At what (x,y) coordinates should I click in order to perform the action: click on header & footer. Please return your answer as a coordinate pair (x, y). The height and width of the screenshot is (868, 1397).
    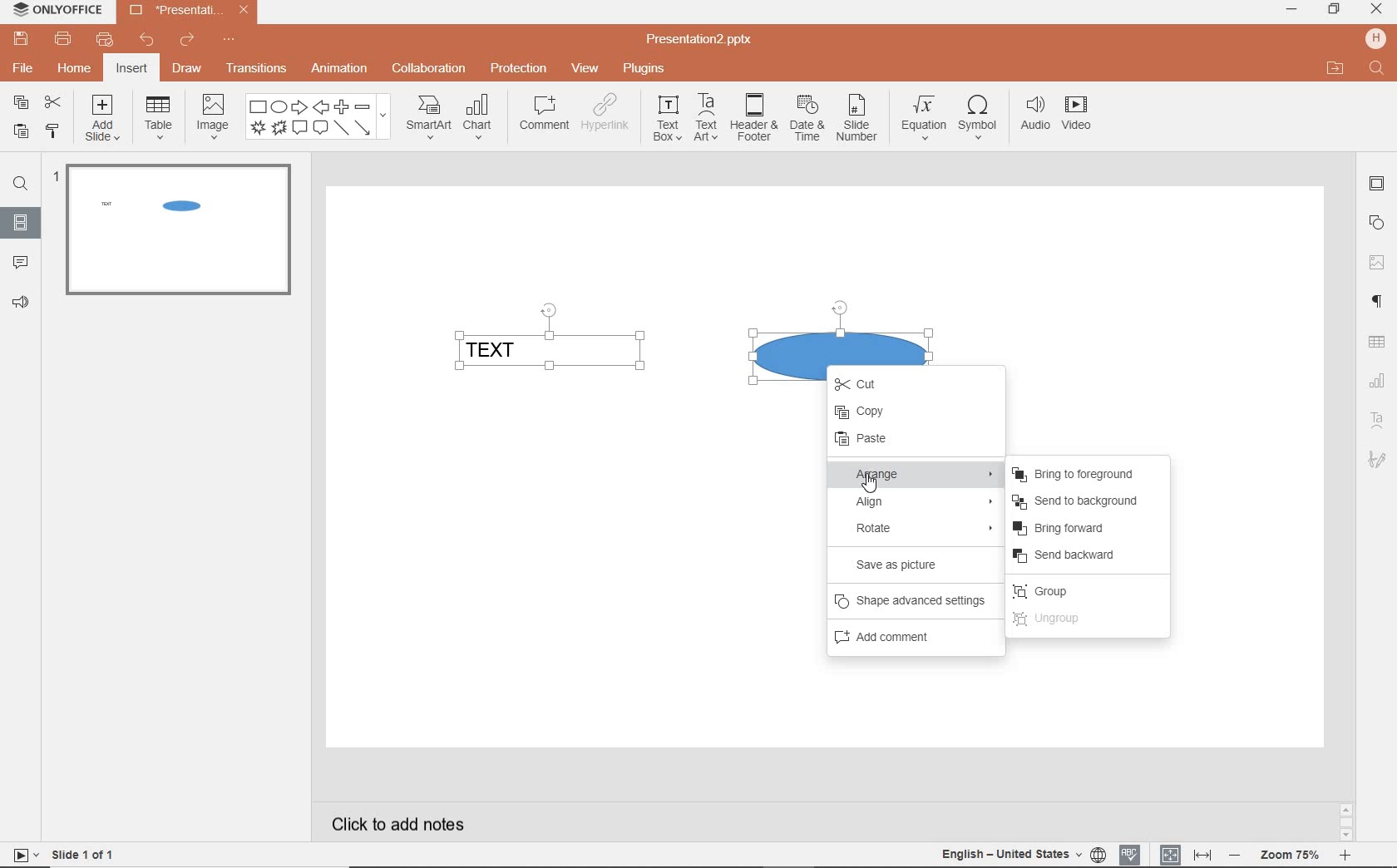
    Looking at the image, I should click on (752, 119).